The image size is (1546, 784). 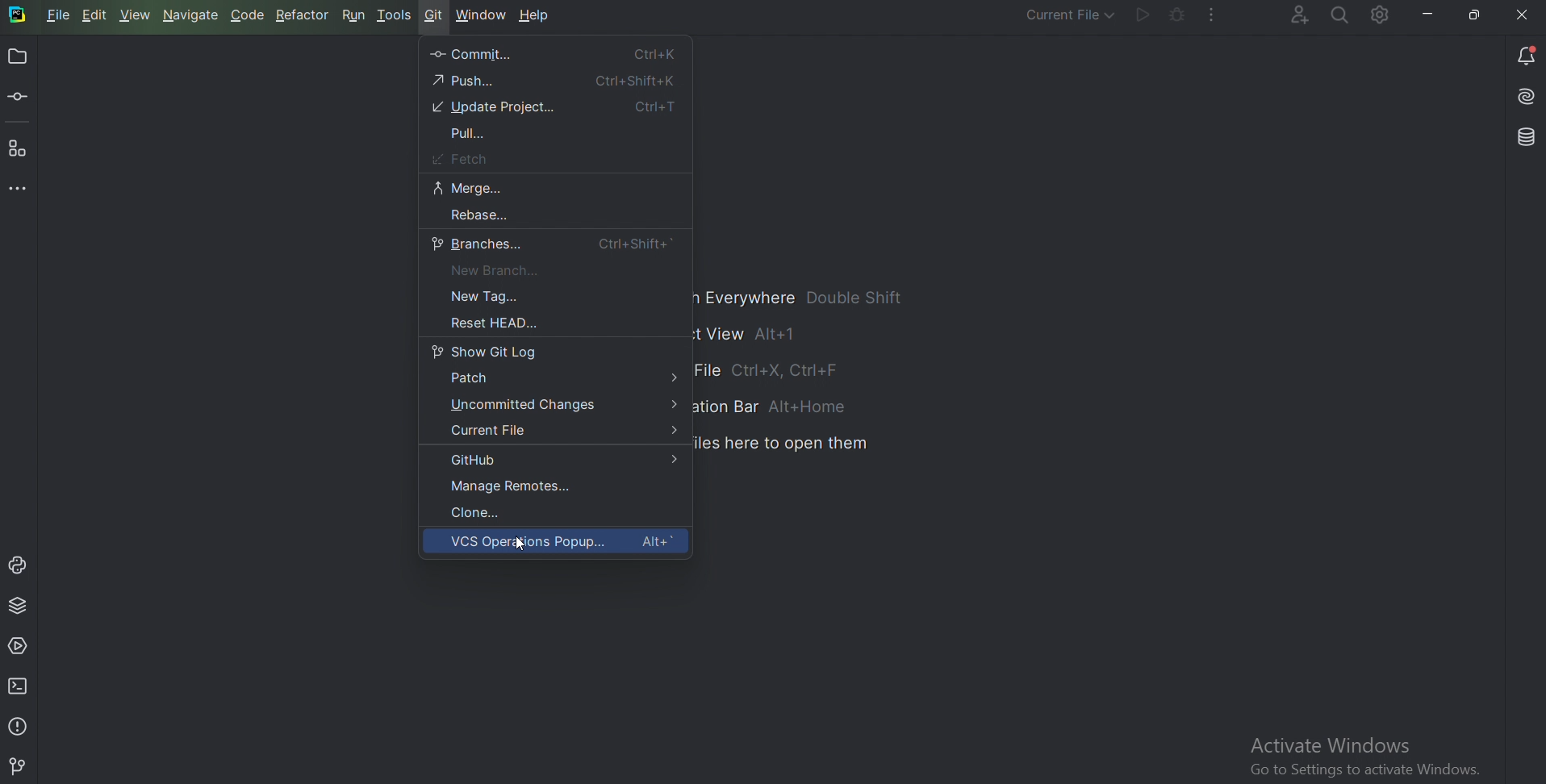 What do you see at coordinates (1423, 14) in the screenshot?
I see `Minimize` at bounding box center [1423, 14].